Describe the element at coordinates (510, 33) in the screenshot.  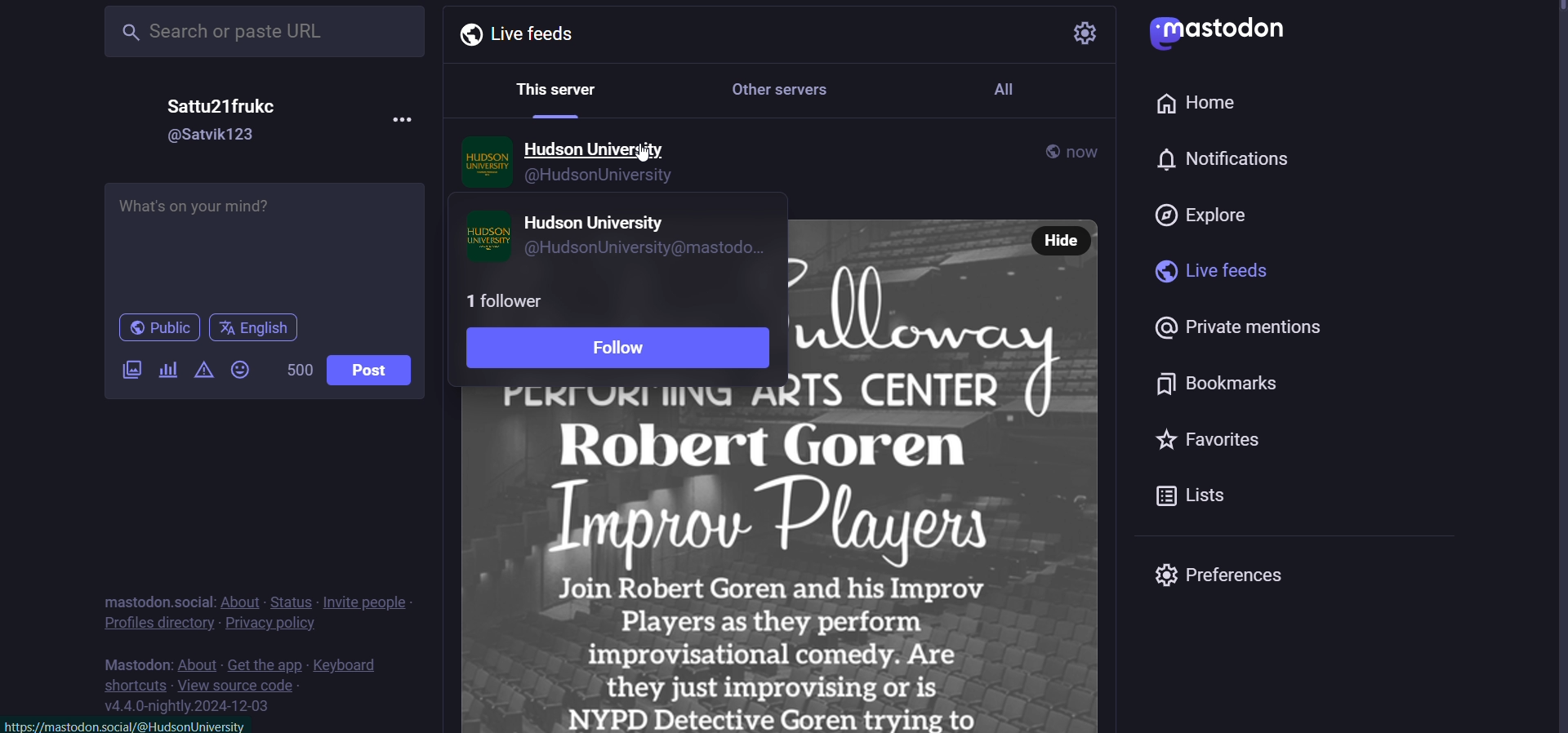
I see `live feed` at that location.